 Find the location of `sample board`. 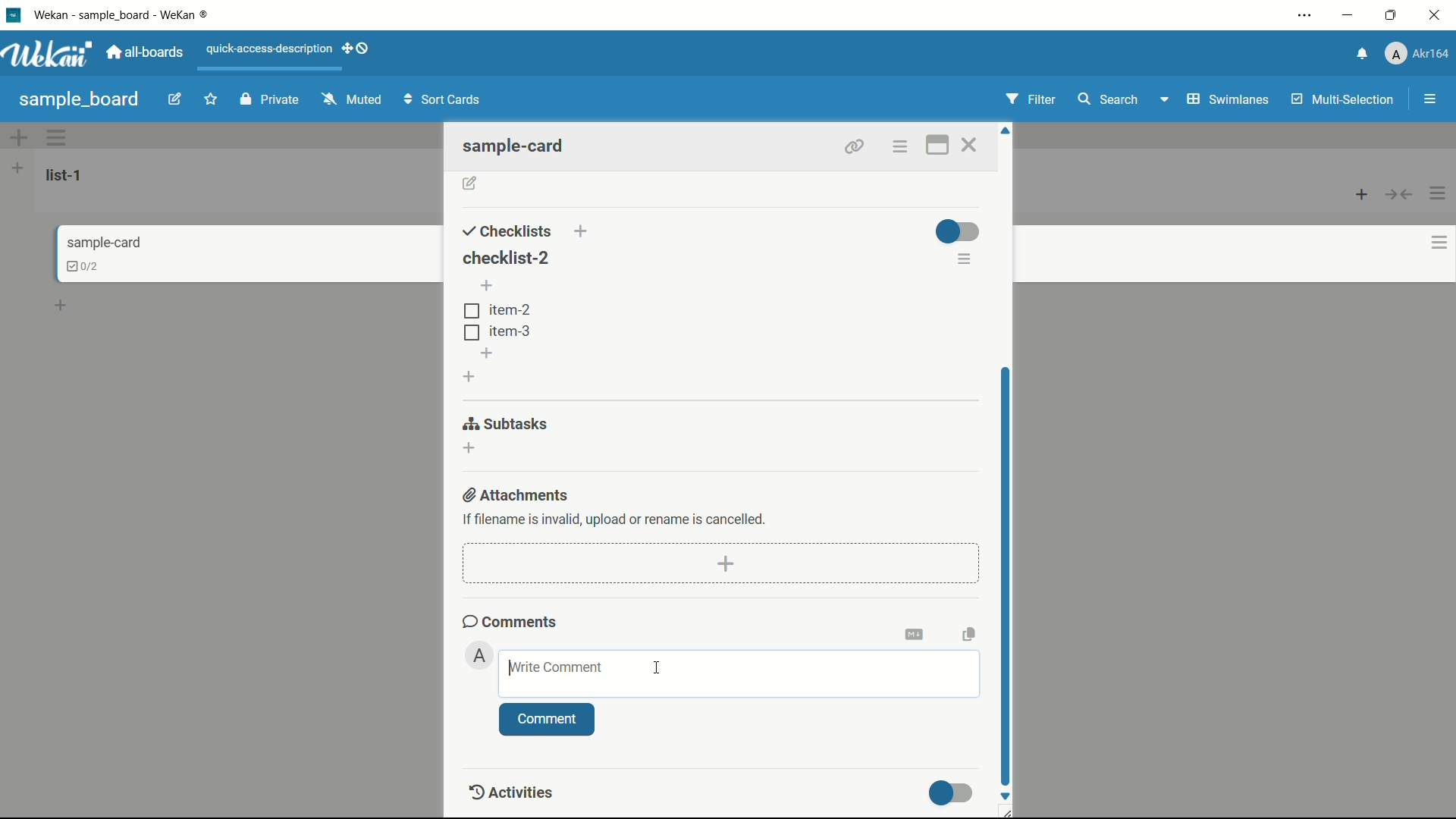

sample board is located at coordinates (79, 99).